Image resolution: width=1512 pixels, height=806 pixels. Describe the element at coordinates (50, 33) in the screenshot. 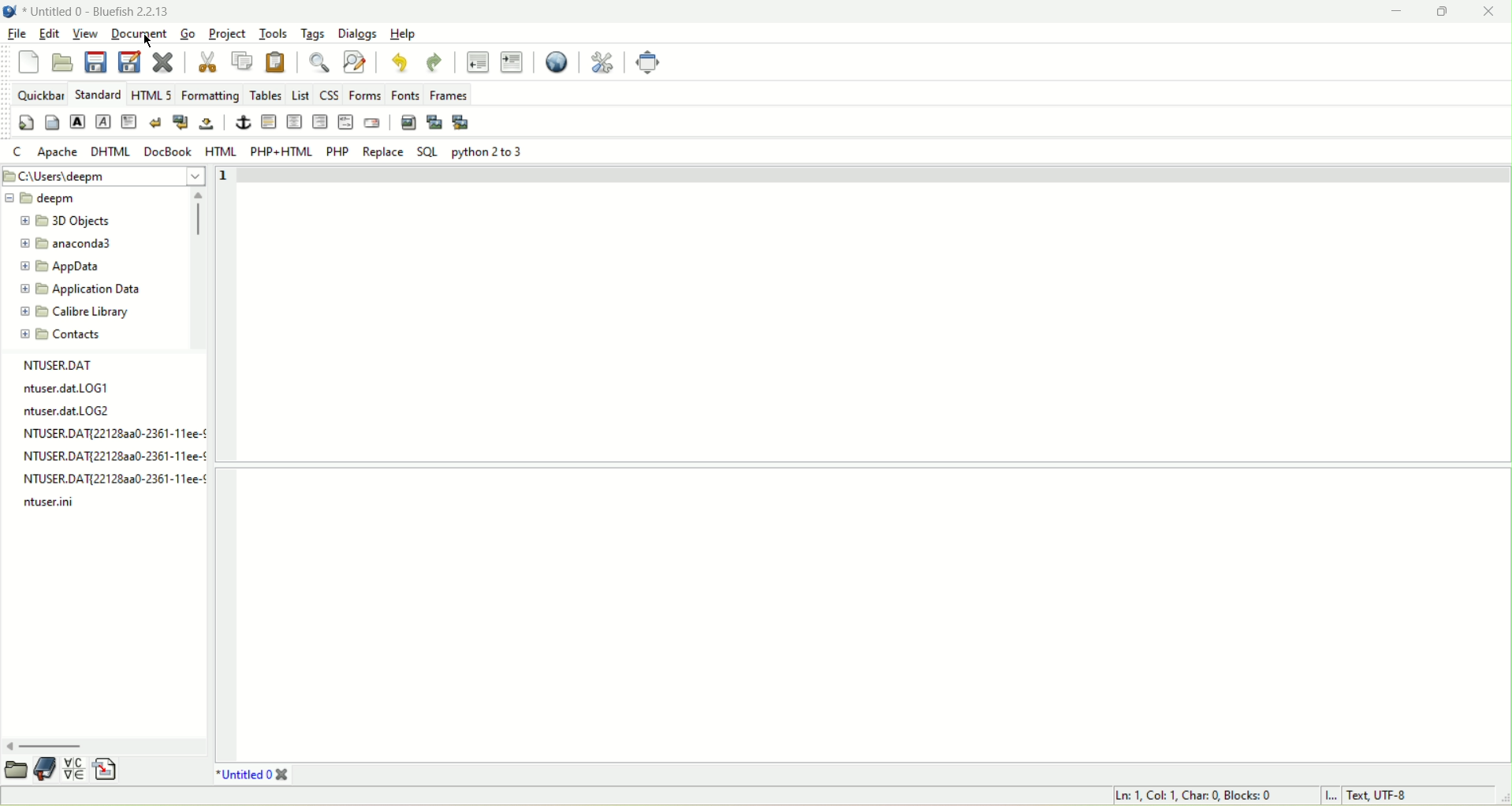

I see `edit` at that location.